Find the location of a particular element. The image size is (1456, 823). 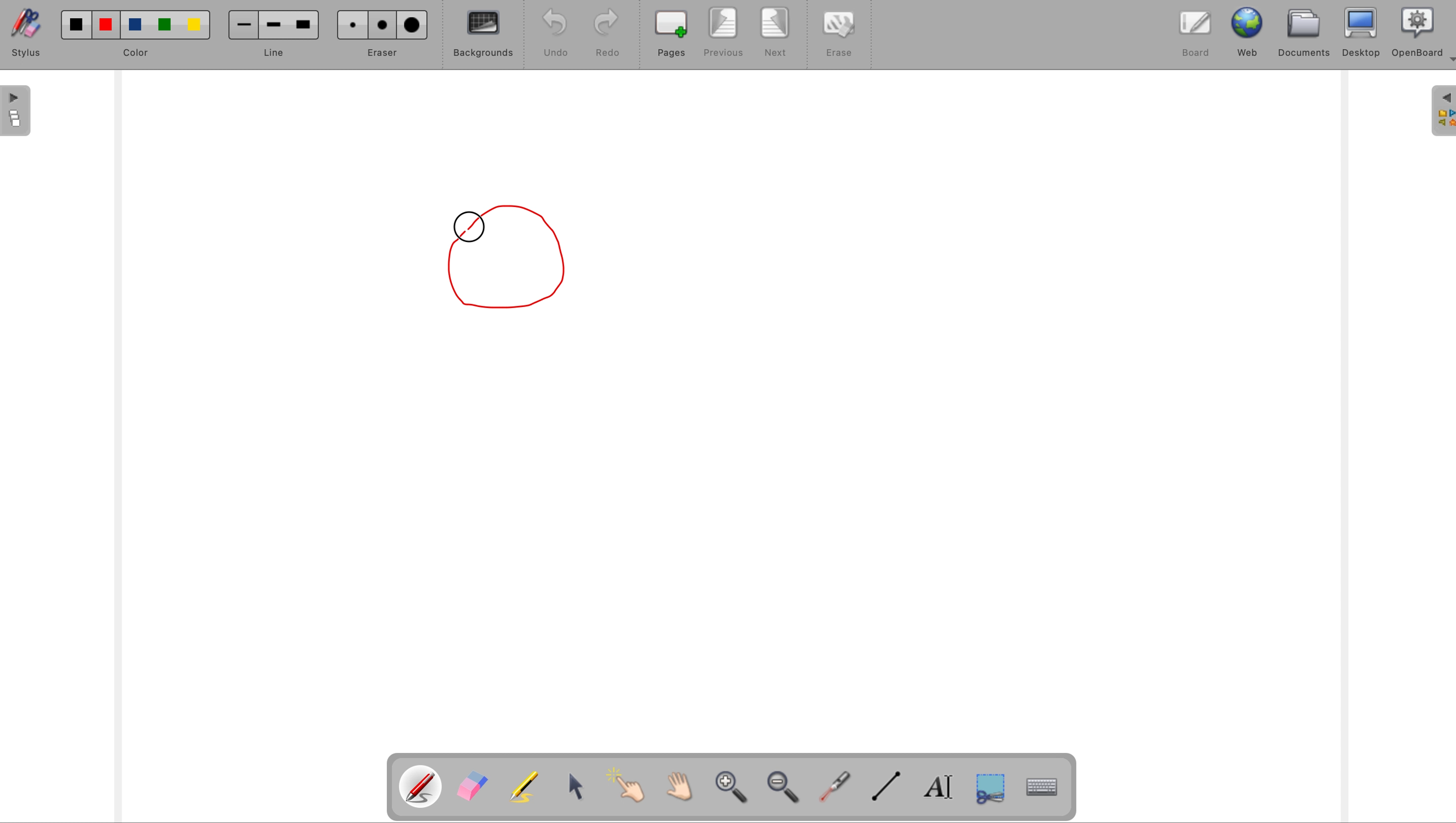

board is located at coordinates (1192, 37).